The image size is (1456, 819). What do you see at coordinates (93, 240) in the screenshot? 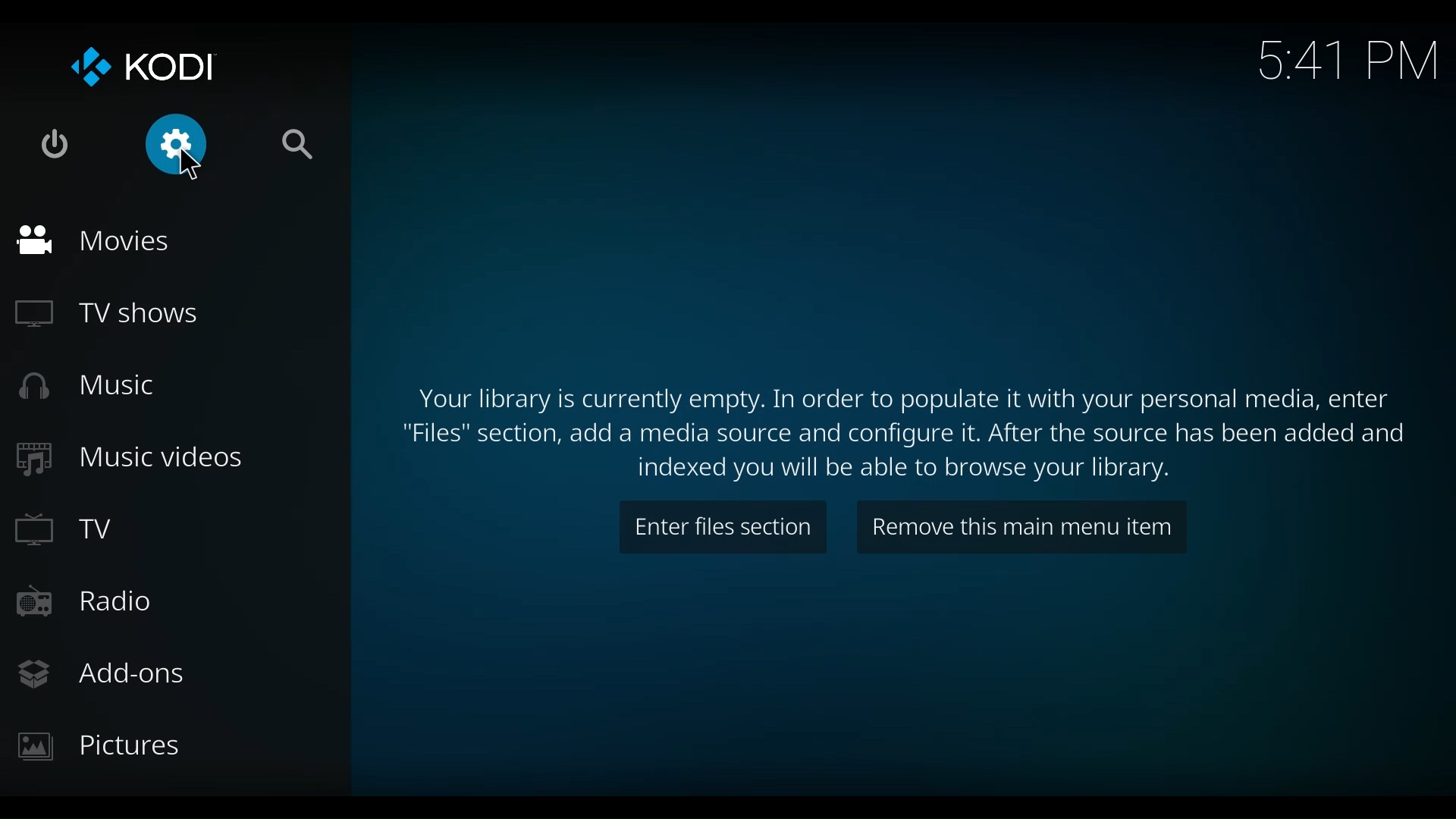
I see `movies` at bounding box center [93, 240].